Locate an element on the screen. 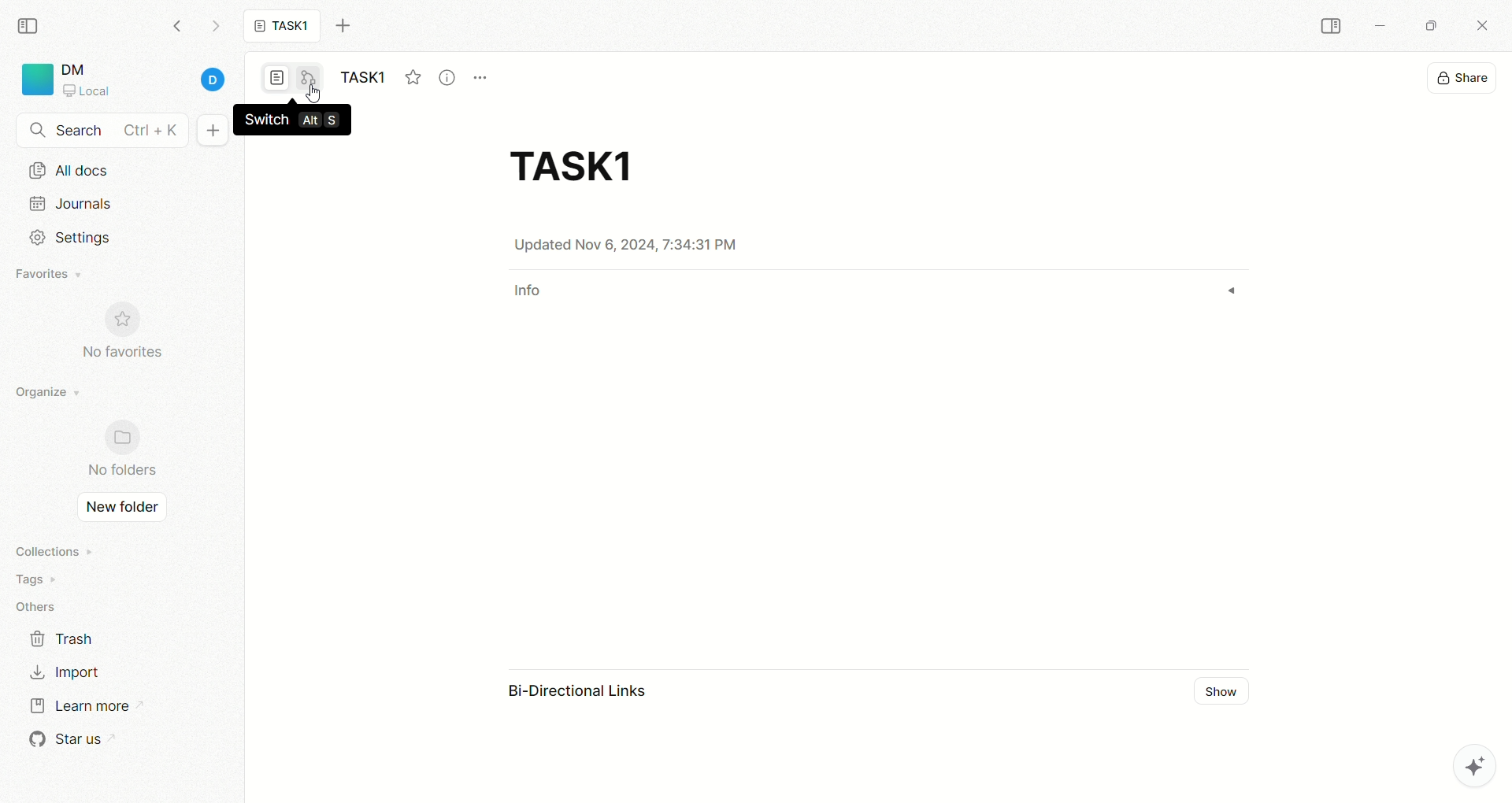 The image size is (1512, 803). favorites is located at coordinates (51, 276).